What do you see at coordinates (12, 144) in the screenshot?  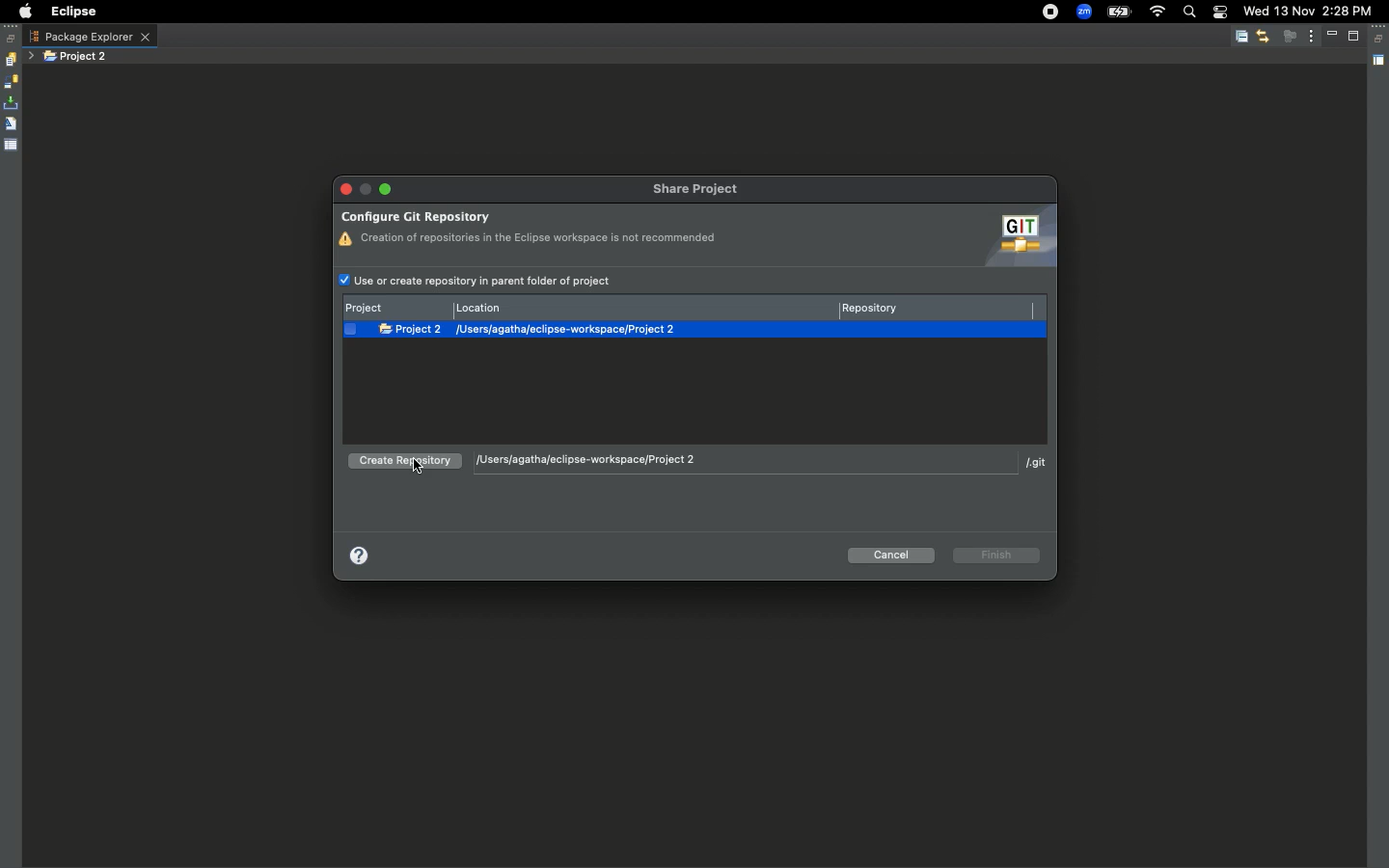 I see `Properties` at bounding box center [12, 144].